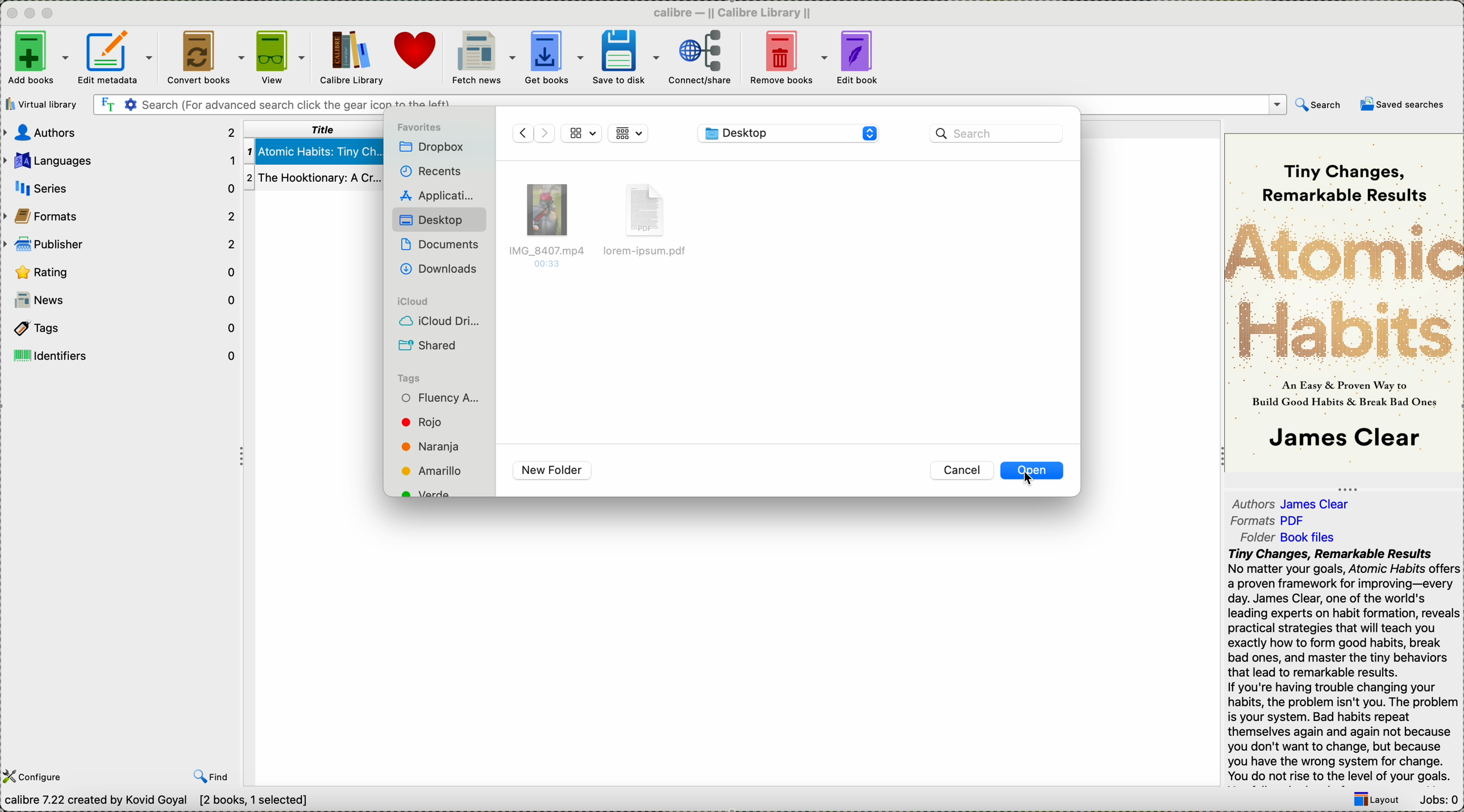  What do you see at coordinates (280, 56) in the screenshot?
I see `view` at bounding box center [280, 56].